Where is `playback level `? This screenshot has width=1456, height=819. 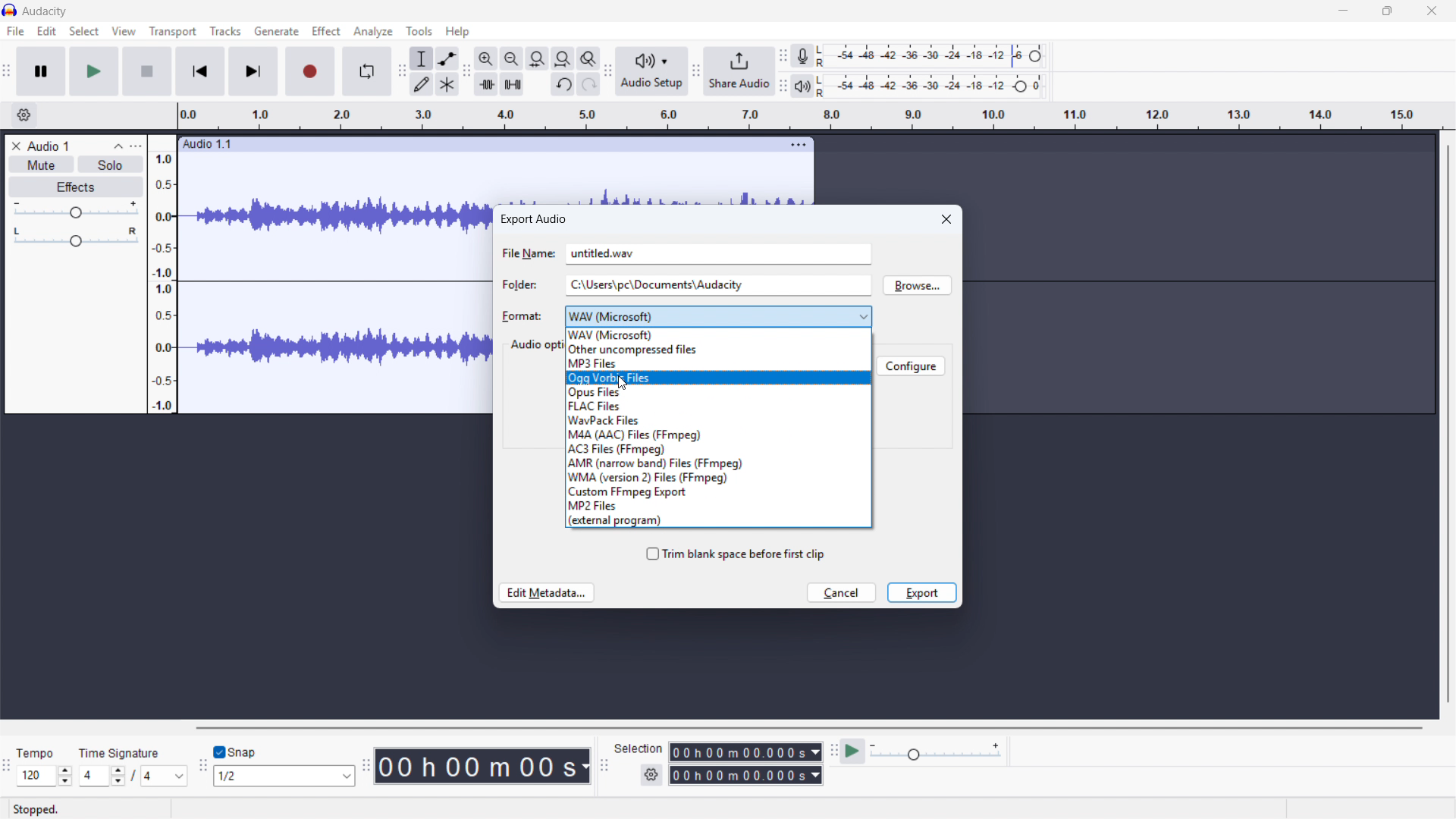
playback level  is located at coordinates (935, 86).